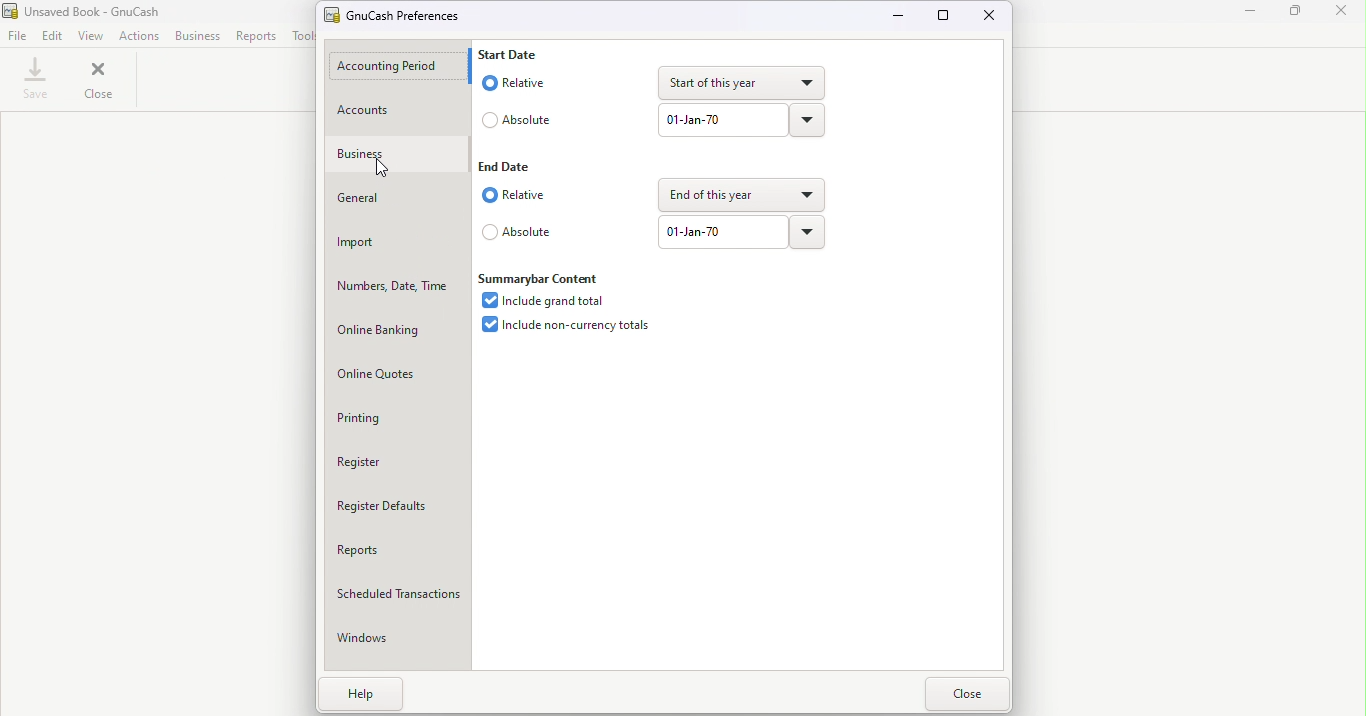 The image size is (1366, 716). I want to click on Minimize, so click(903, 18).